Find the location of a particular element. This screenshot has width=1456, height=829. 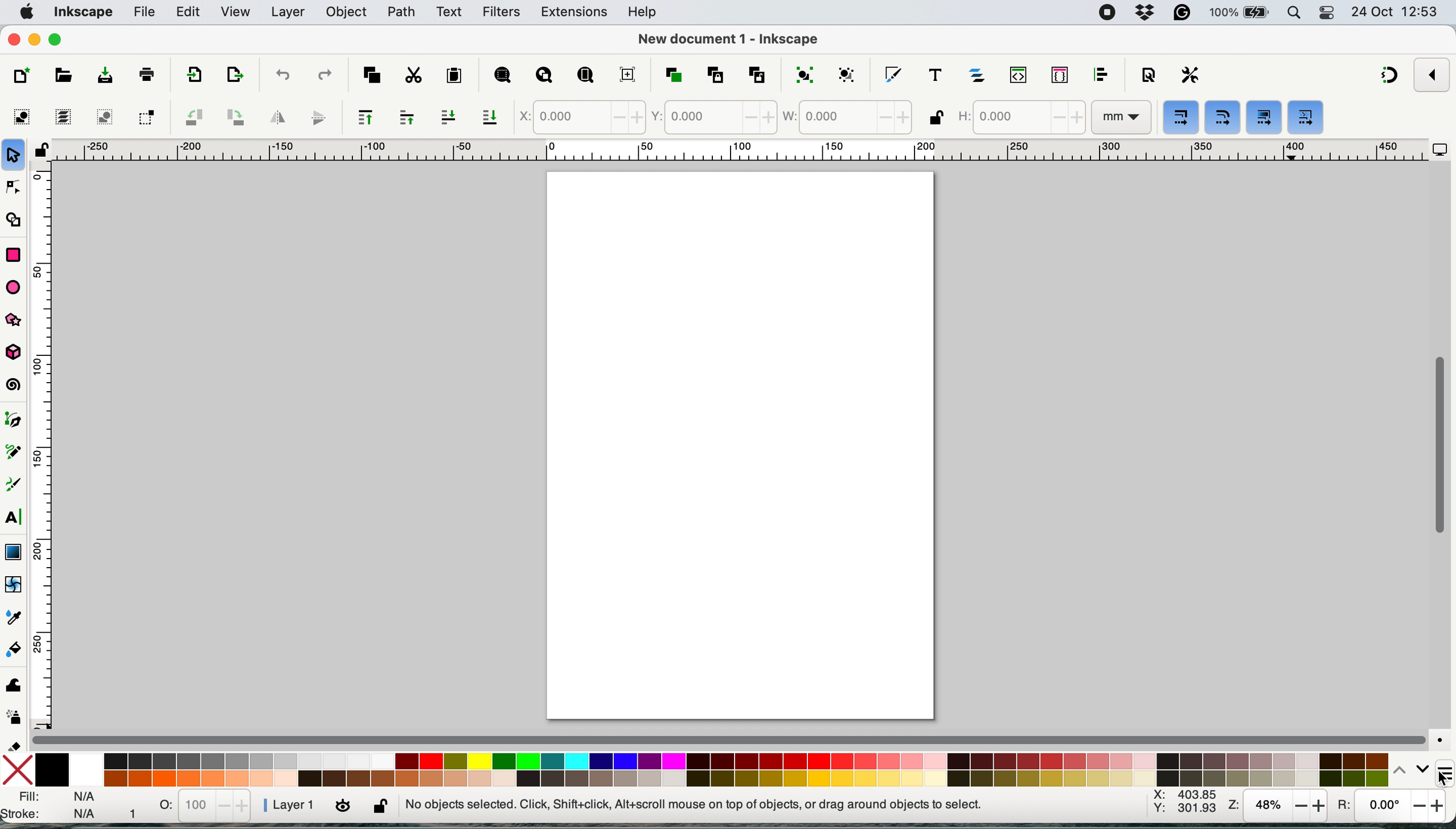

battery is located at coordinates (1238, 12).